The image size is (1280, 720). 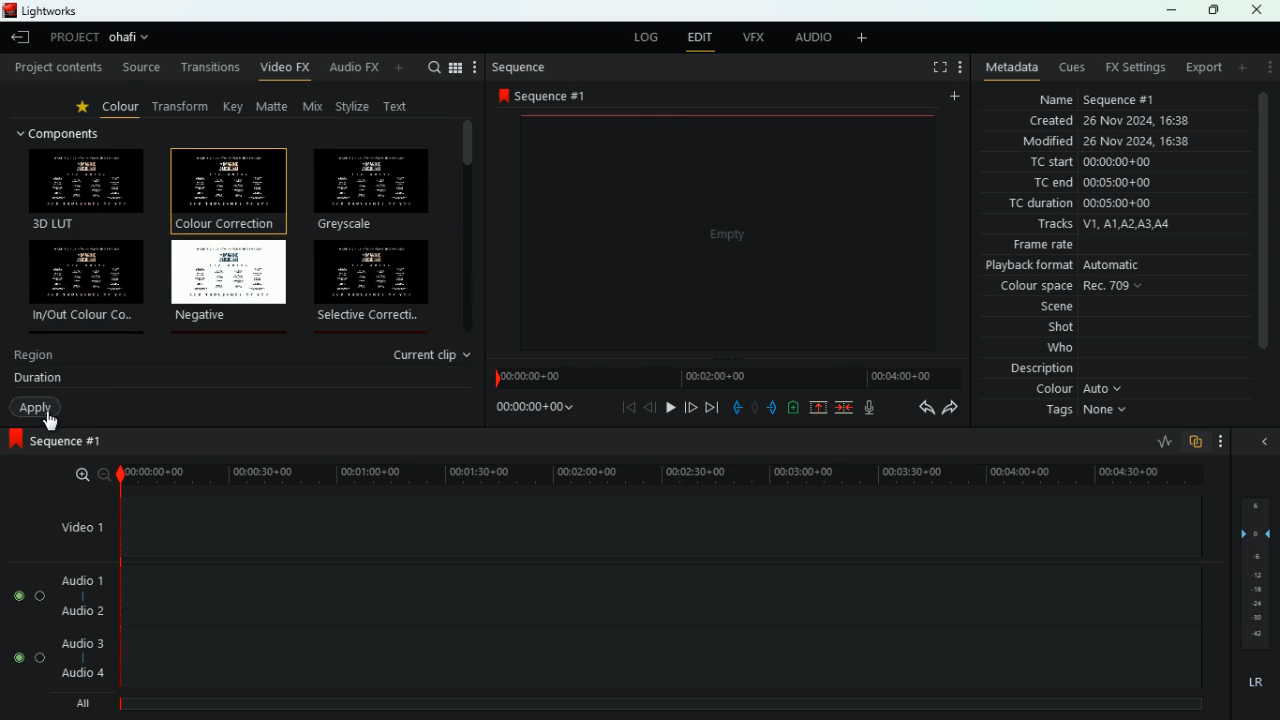 What do you see at coordinates (400, 105) in the screenshot?
I see `text` at bounding box center [400, 105].